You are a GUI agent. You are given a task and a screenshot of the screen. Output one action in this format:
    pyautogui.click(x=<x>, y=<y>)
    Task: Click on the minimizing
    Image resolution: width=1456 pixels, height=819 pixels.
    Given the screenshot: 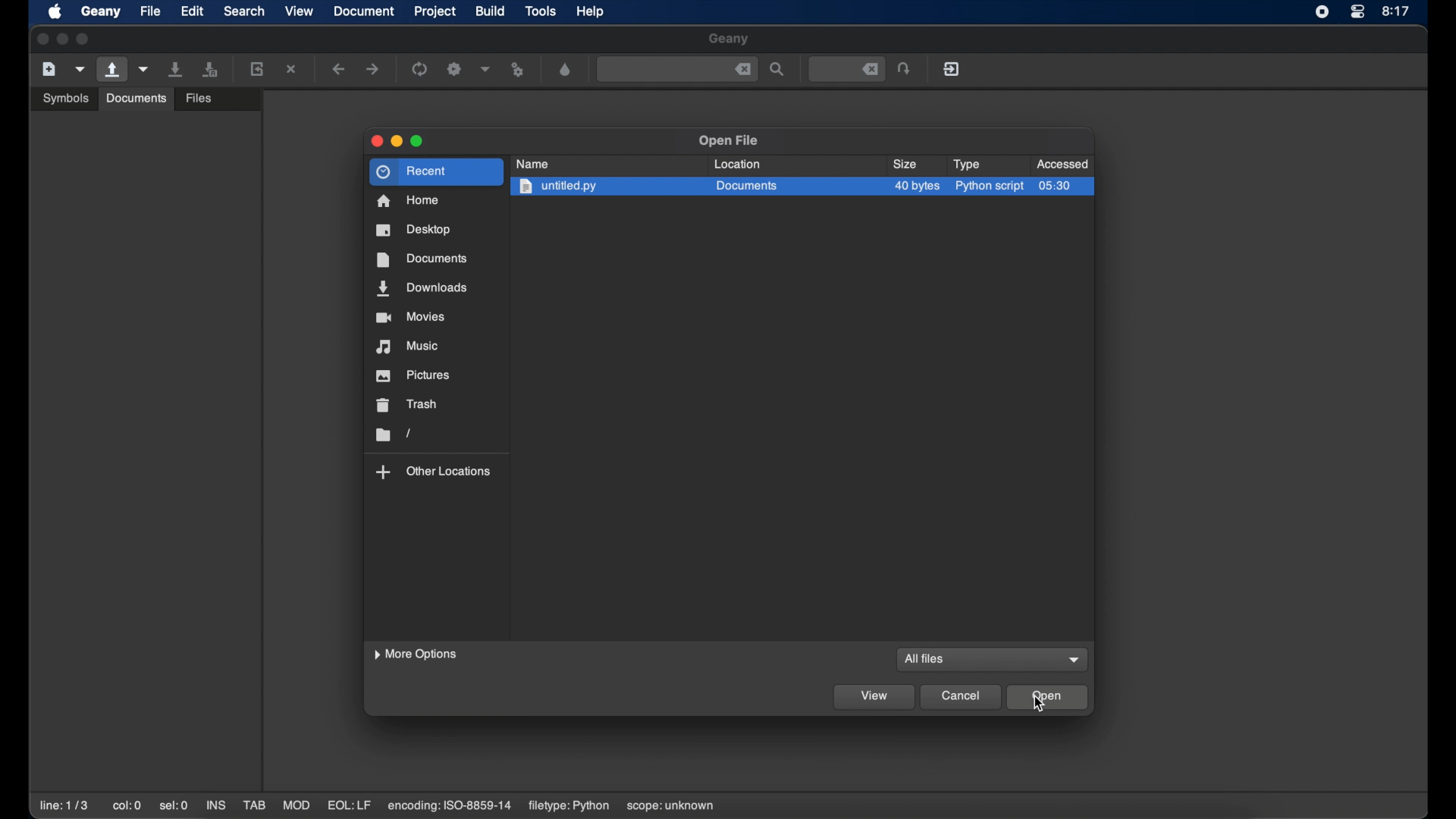 What is the action you would take?
    pyautogui.click(x=397, y=141)
    